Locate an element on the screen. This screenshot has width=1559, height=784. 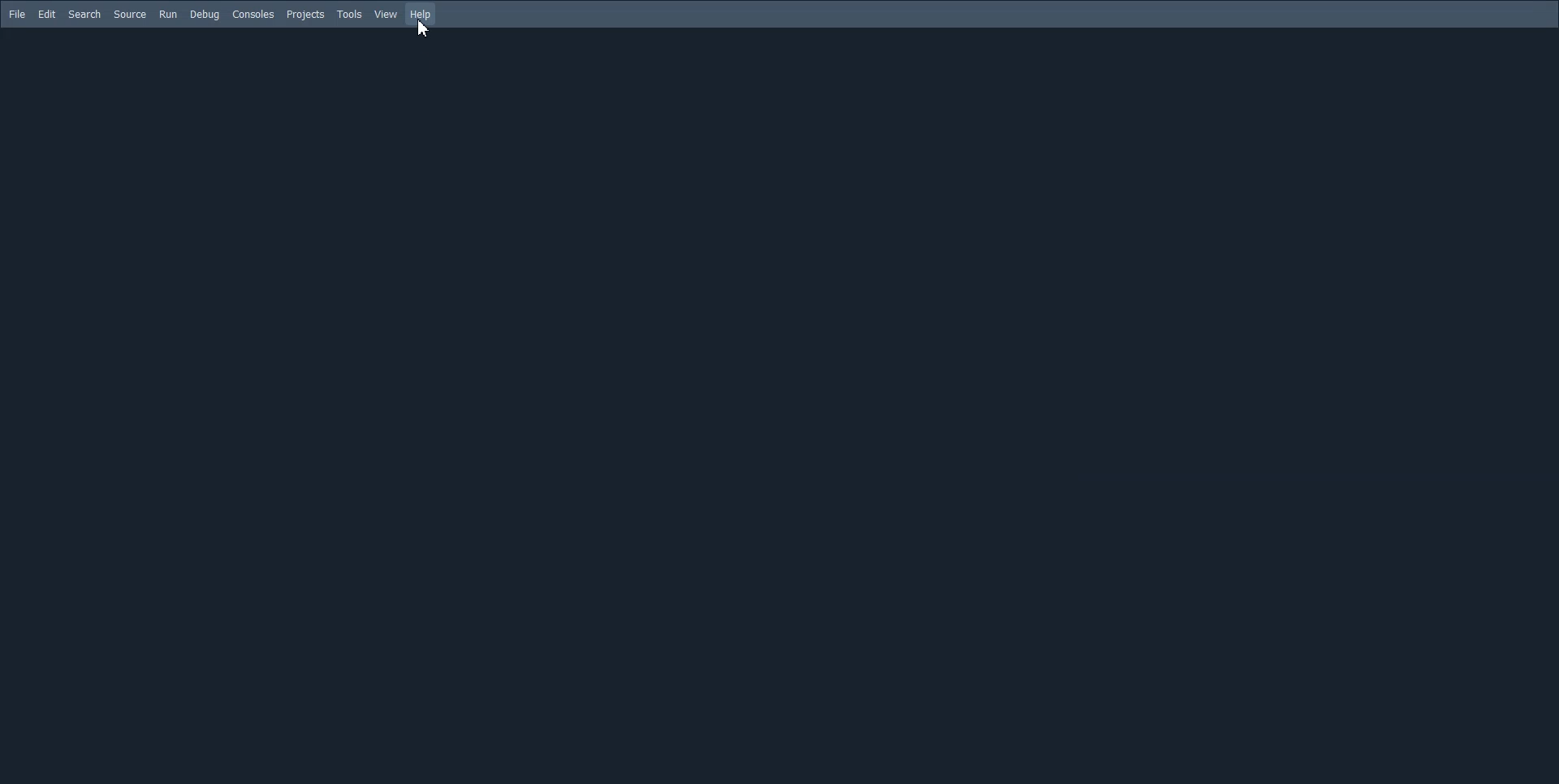
Search is located at coordinates (85, 14).